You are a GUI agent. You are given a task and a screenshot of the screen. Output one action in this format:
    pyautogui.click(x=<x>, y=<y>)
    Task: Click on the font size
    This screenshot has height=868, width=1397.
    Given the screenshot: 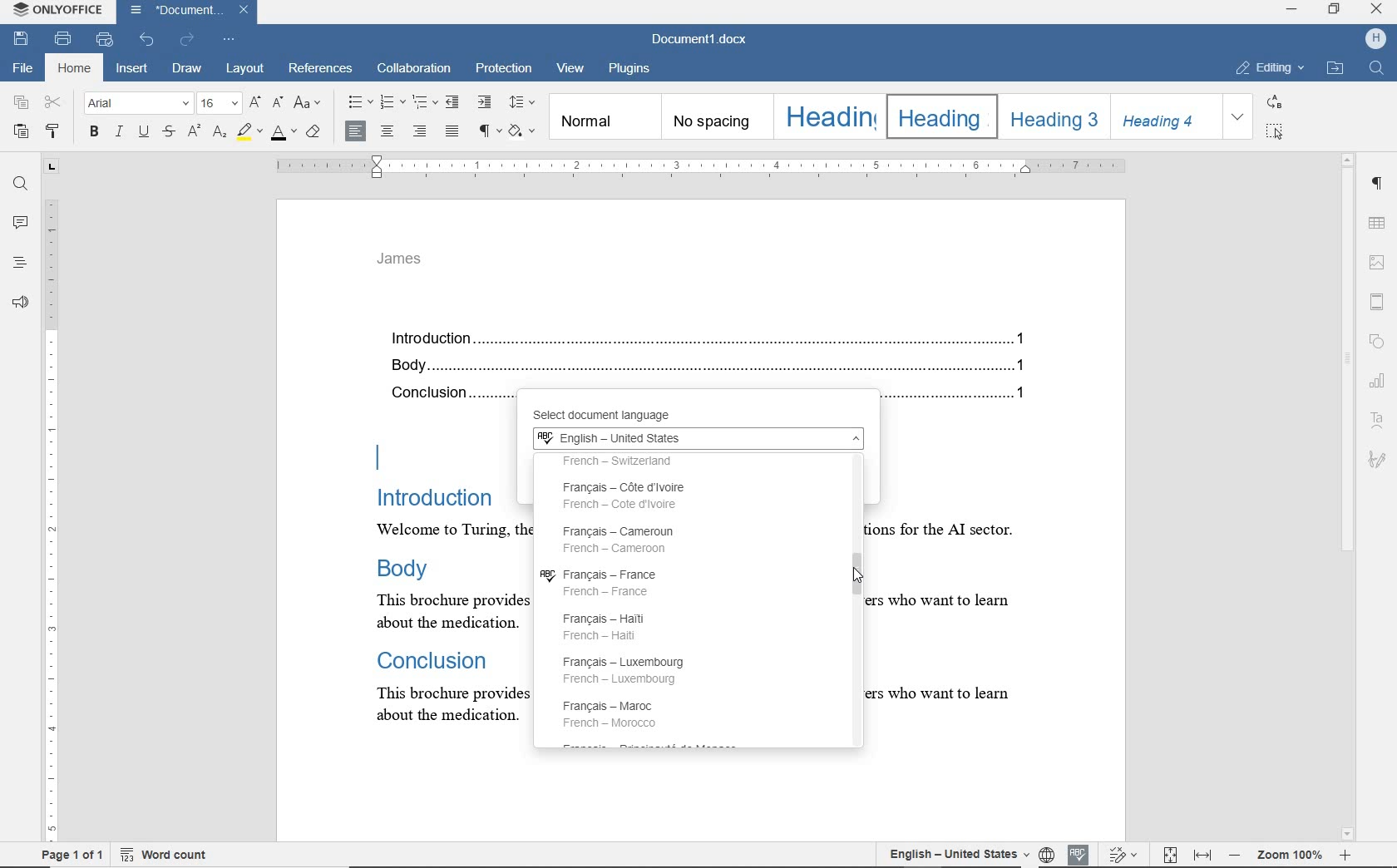 What is the action you would take?
    pyautogui.click(x=219, y=104)
    